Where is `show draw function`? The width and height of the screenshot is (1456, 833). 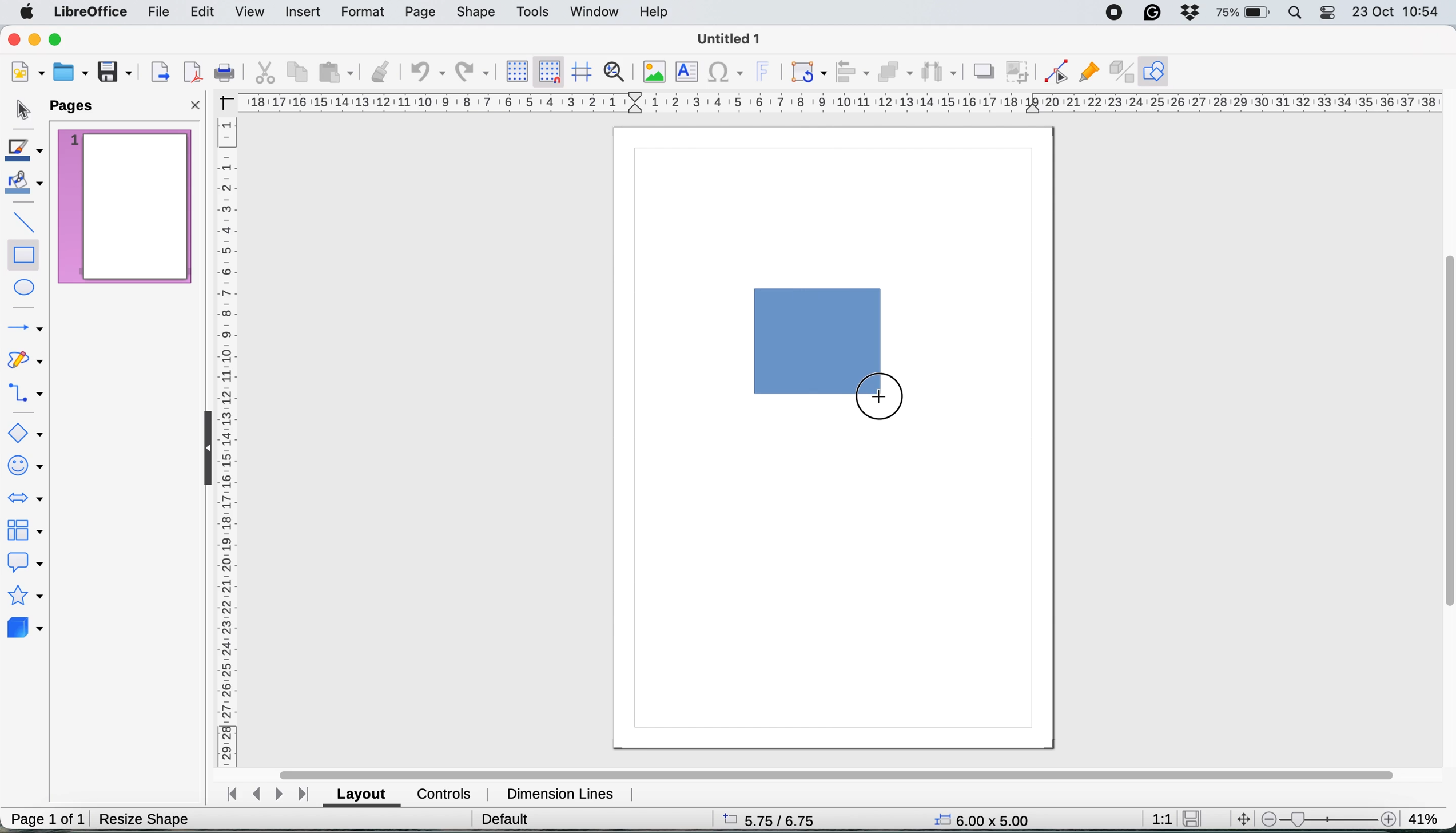 show draw function is located at coordinates (1156, 70).